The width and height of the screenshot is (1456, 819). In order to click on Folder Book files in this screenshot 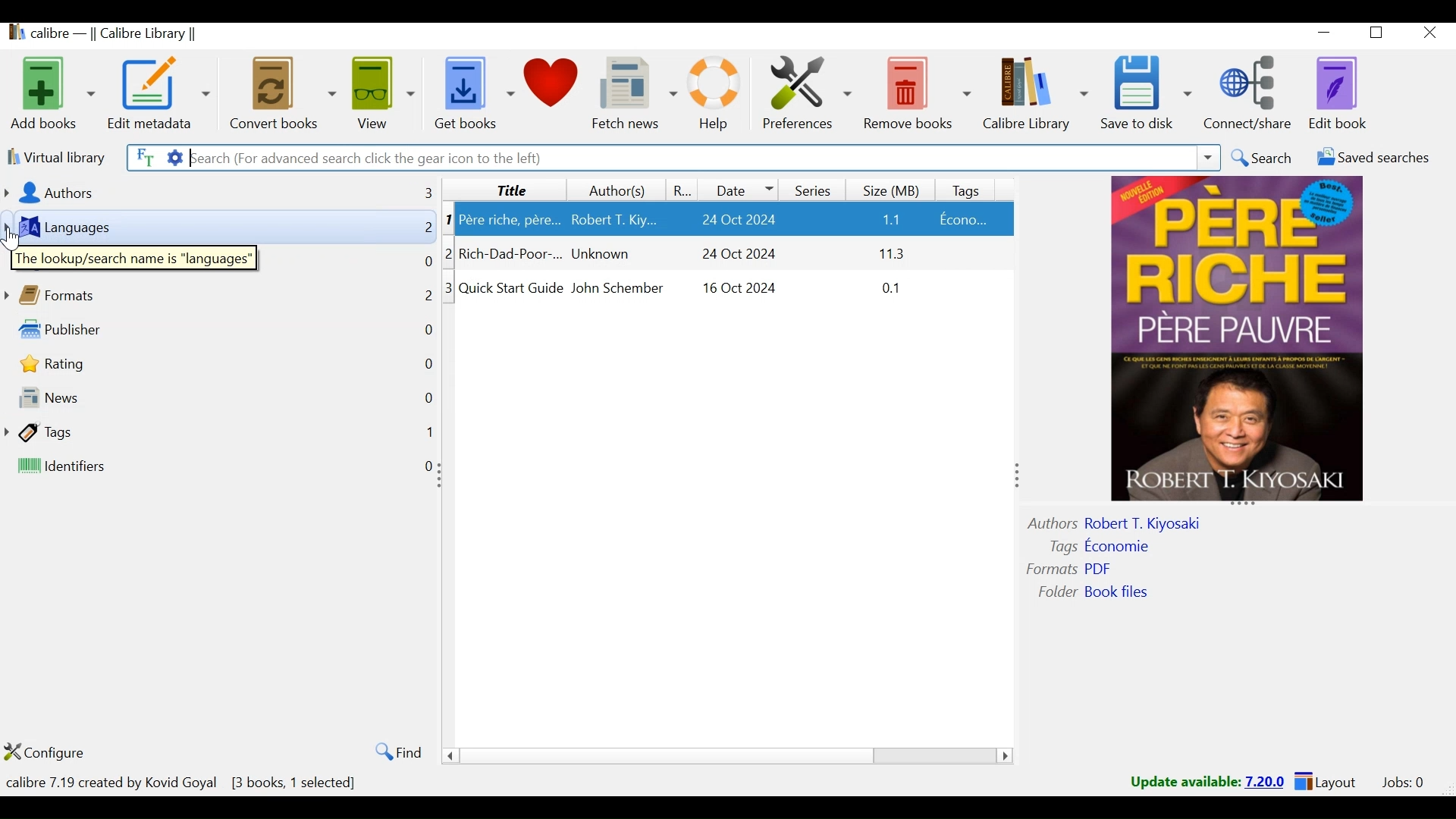, I will do `click(1100, 592)`.